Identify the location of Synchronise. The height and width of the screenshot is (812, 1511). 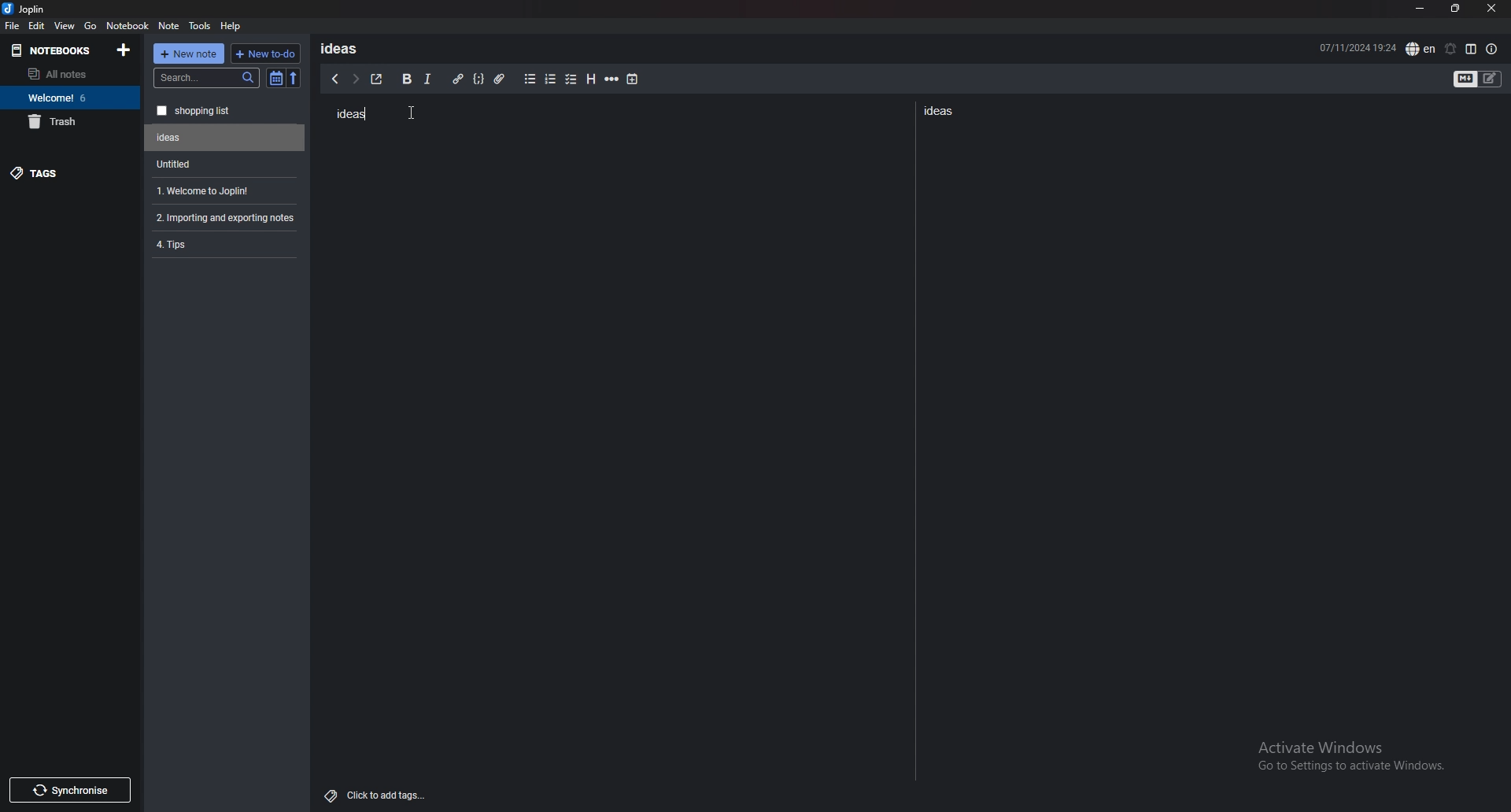
(69, 790).